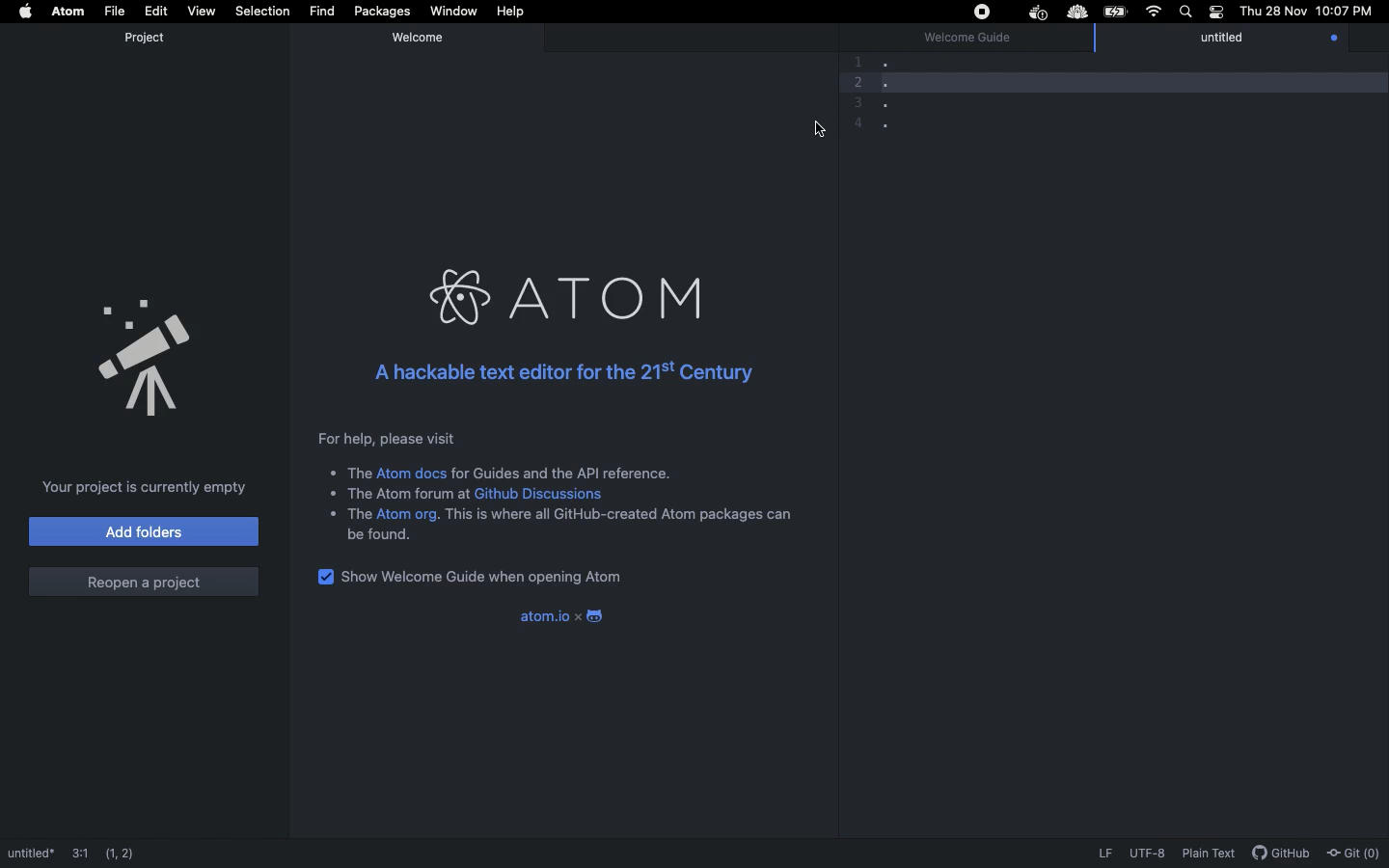 This screenshot has height=868, width=1389. Describe the element at coordinates (571, 295) in the screenshot. I see `Atom` at that location.